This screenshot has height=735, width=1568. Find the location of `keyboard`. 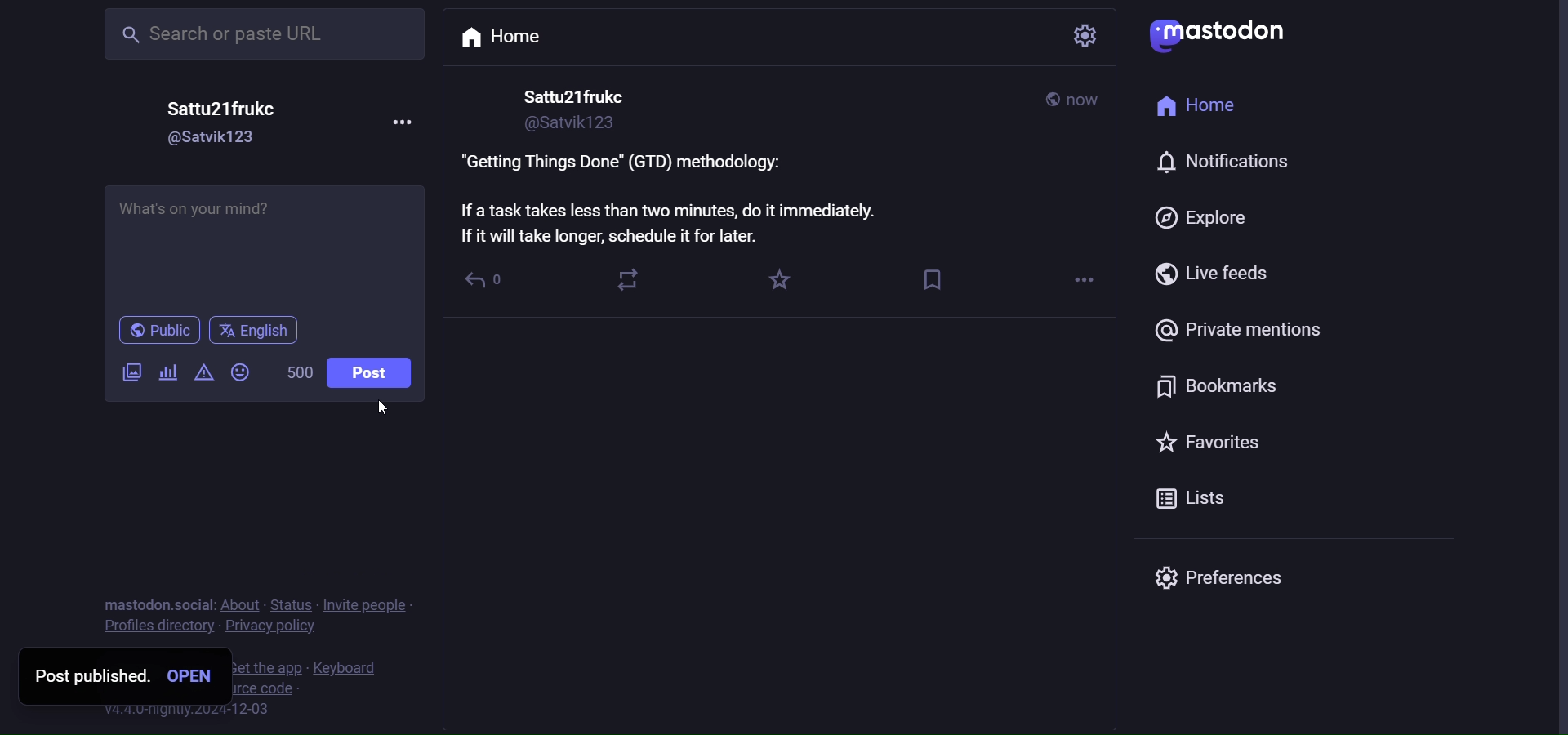

keyboard is located at coordinates (349, 668).